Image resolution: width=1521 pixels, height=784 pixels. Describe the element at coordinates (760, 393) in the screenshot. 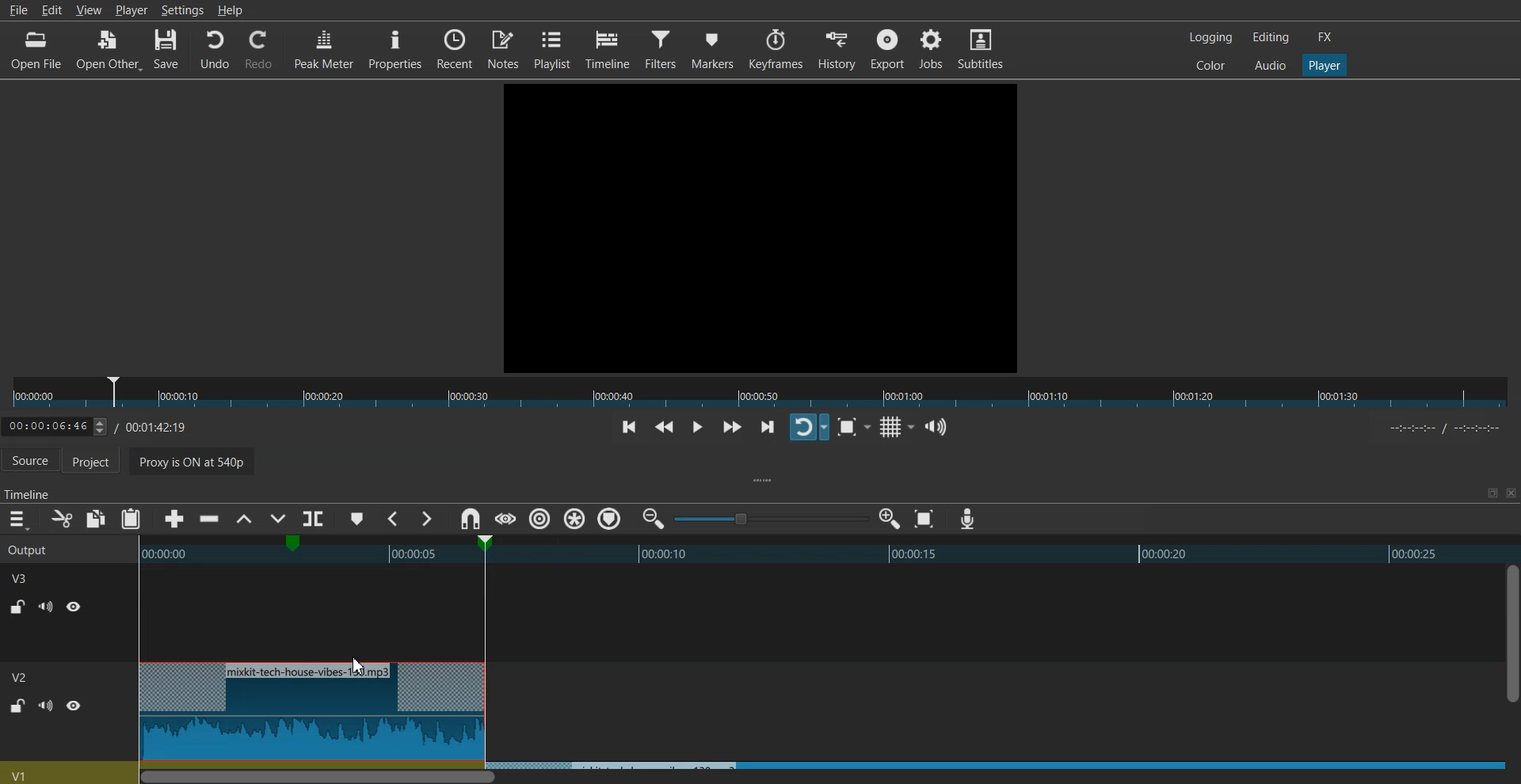

I see `Slider` at that location.